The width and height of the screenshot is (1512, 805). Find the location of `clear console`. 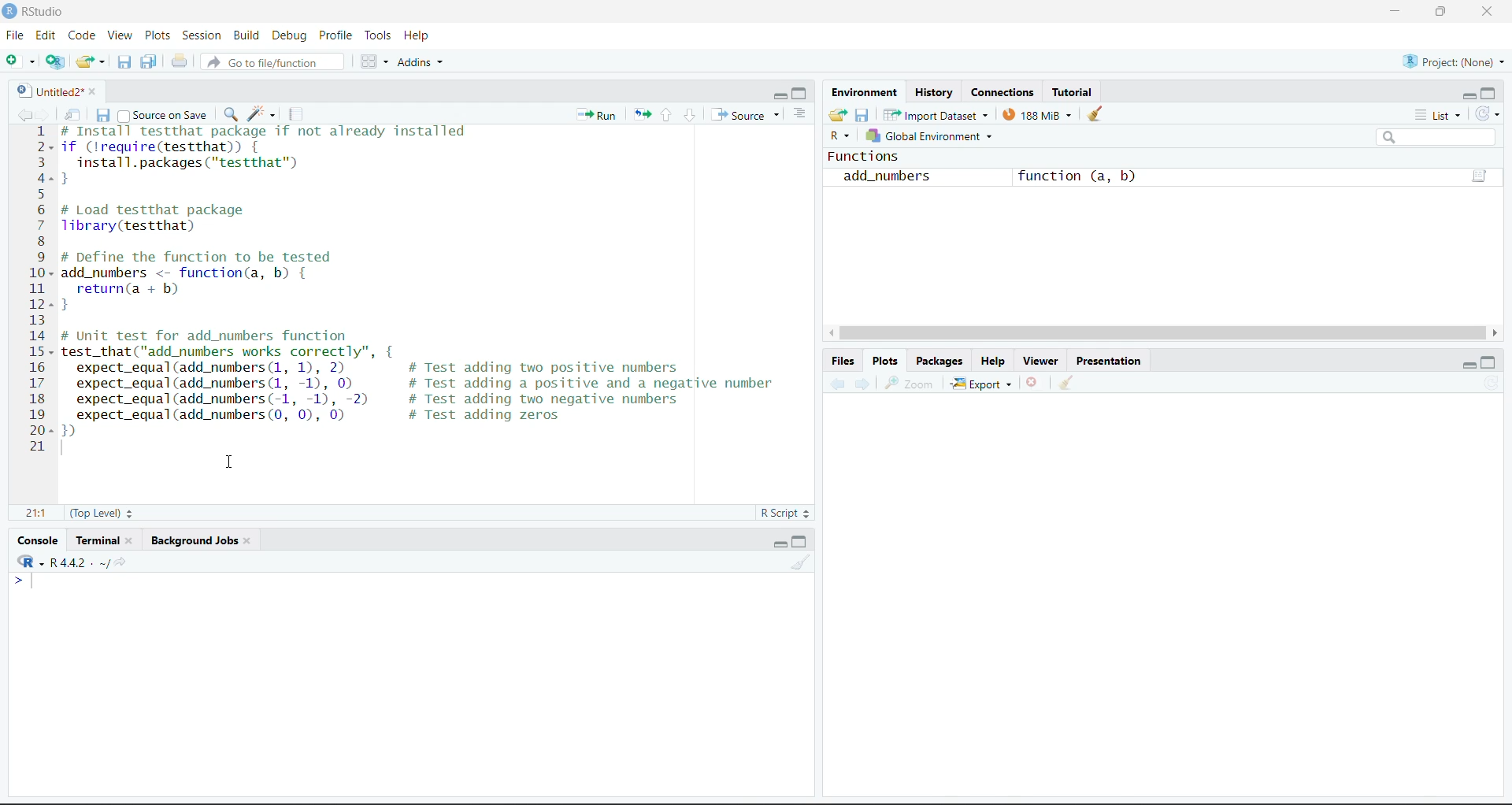

clear console is located at coordinates (799, 562).